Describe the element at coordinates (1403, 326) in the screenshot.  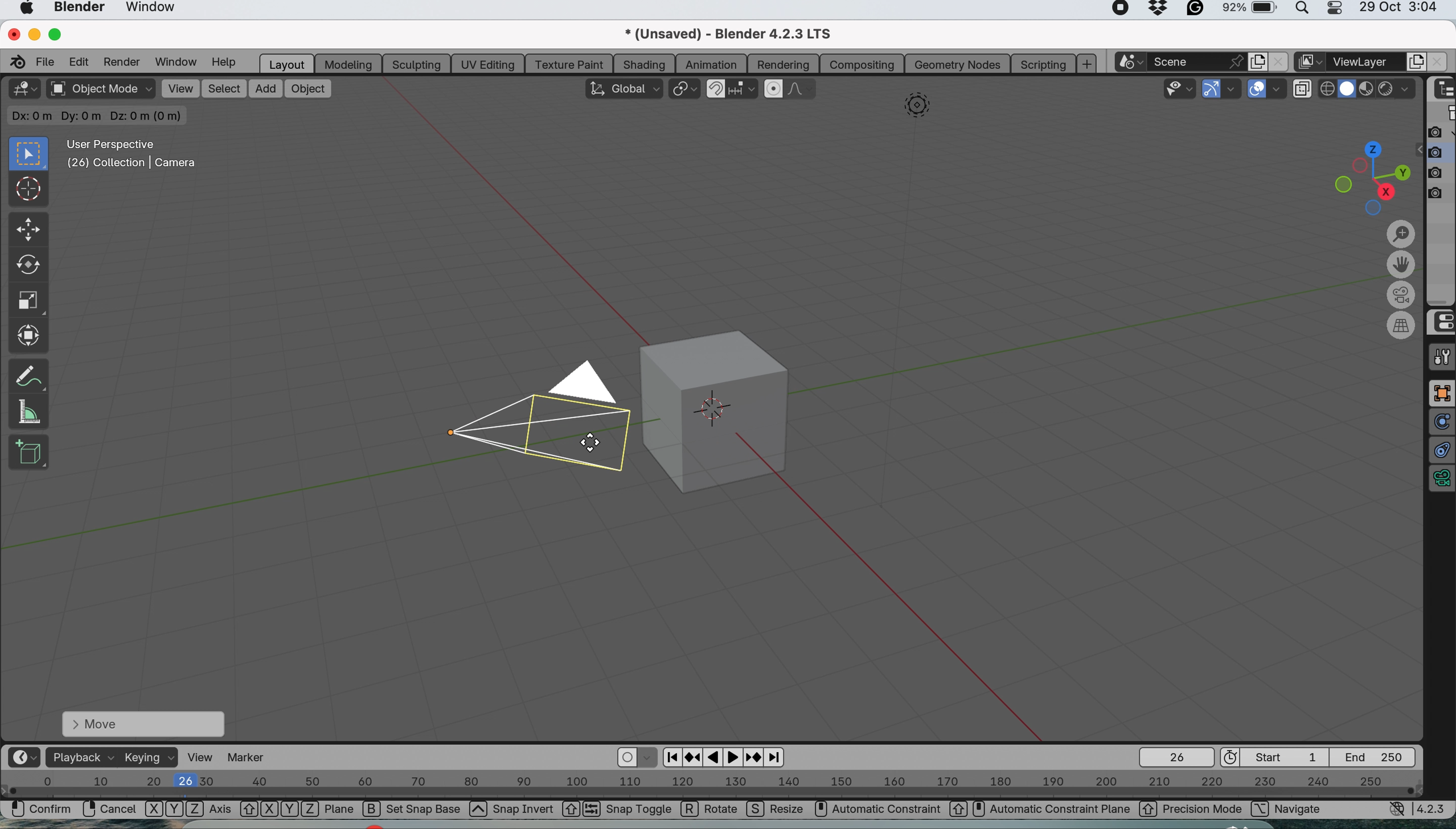
I see `switch current view` at that location.